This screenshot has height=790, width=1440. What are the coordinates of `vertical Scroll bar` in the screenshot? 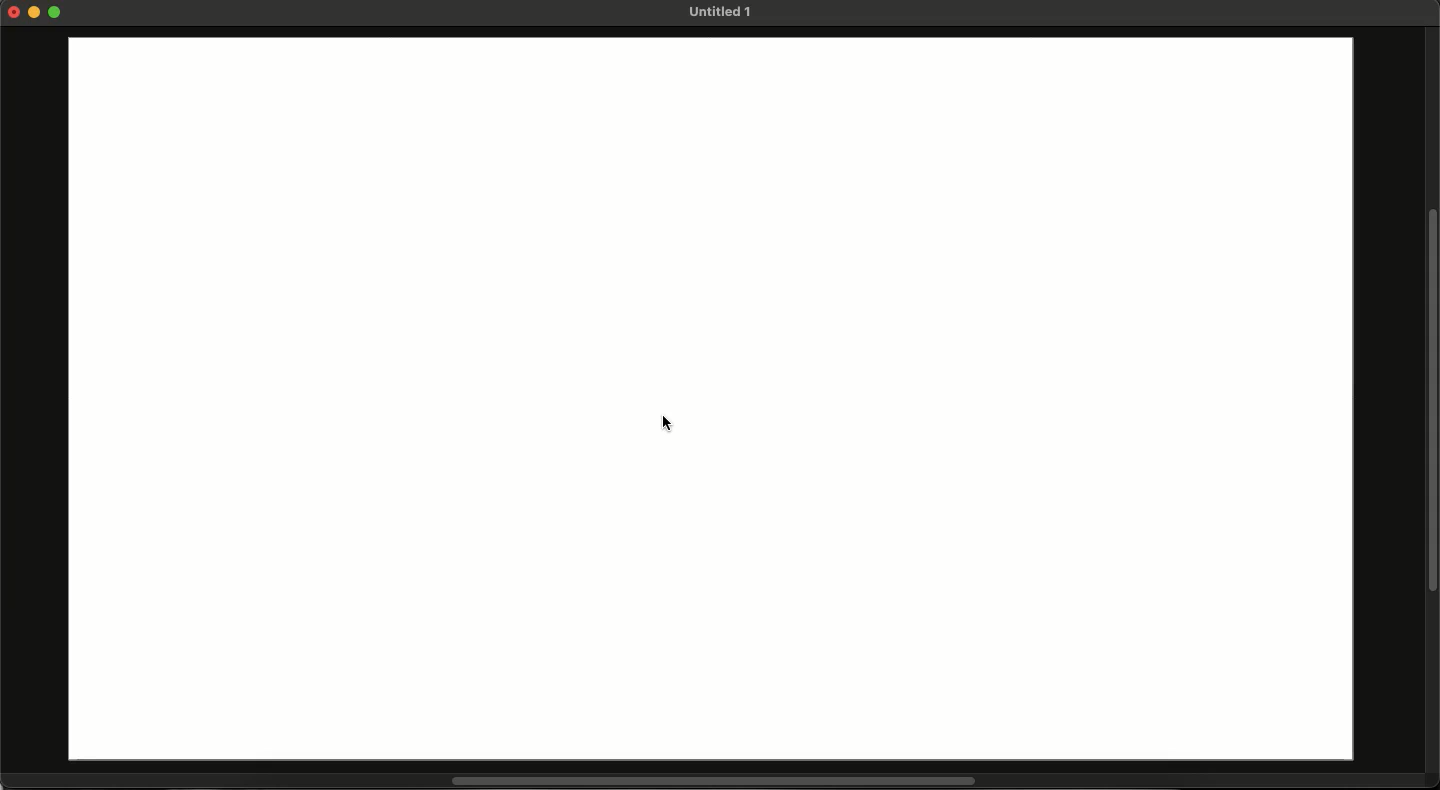 It's located at (1431, 398).